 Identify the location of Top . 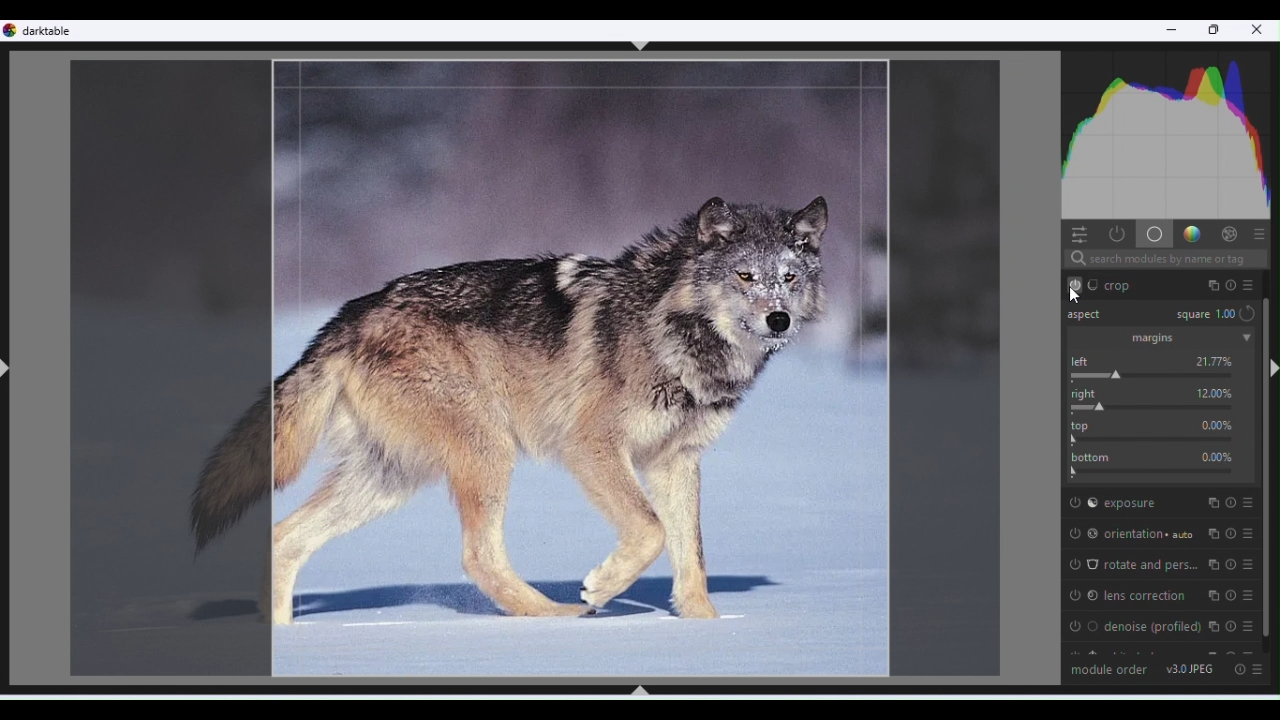
(1161, 438).